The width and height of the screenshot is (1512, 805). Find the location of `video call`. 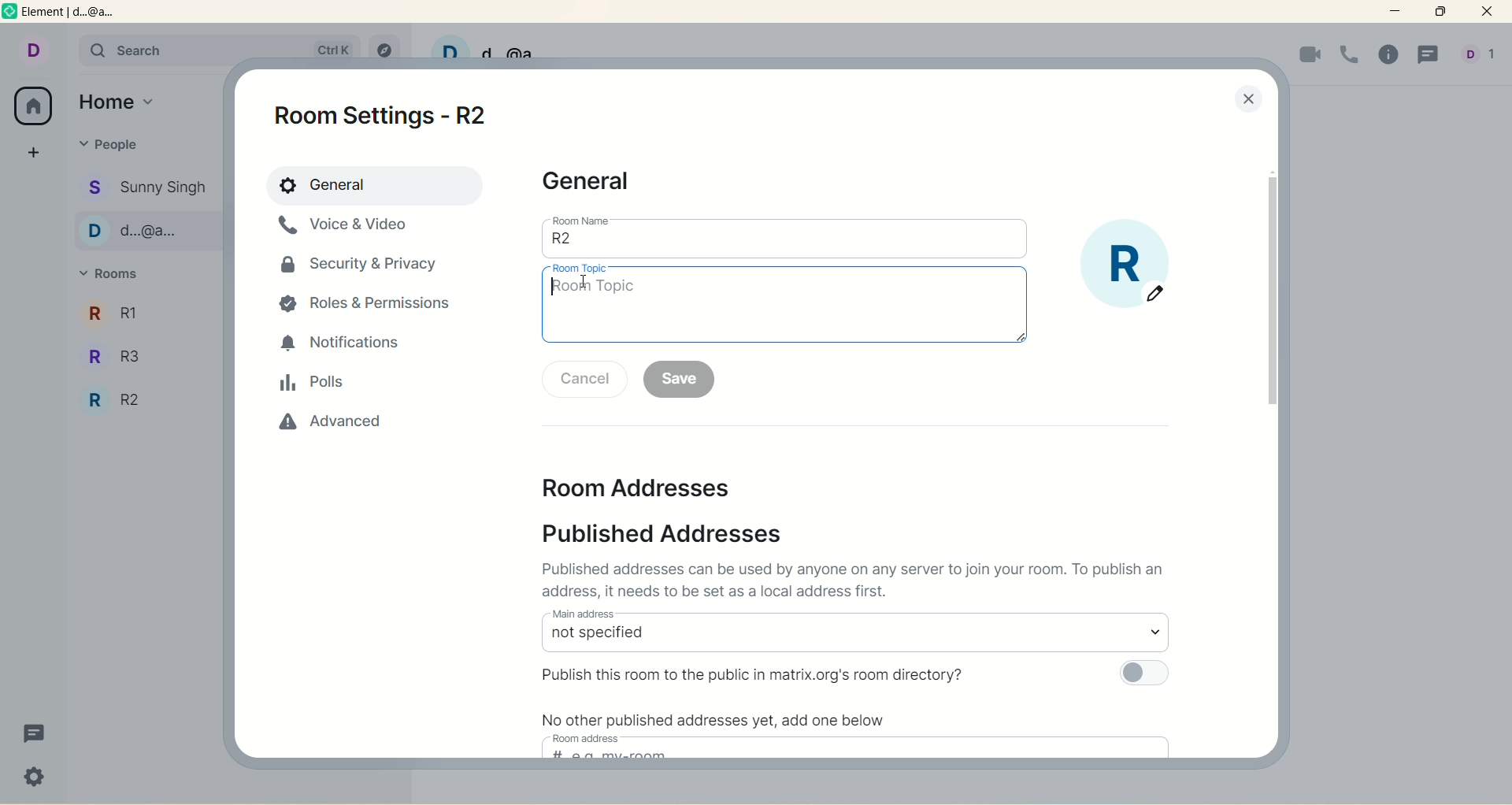

video call is located at coordinates (1308, 56).